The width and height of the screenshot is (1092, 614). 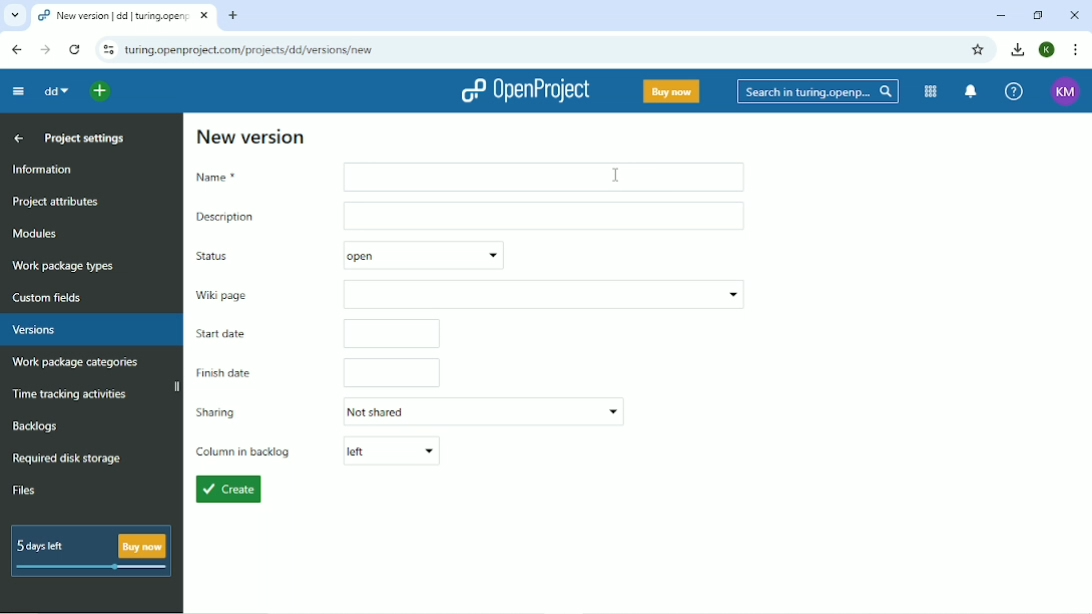 I want to click on Buy now, so click(x=673, y=91).